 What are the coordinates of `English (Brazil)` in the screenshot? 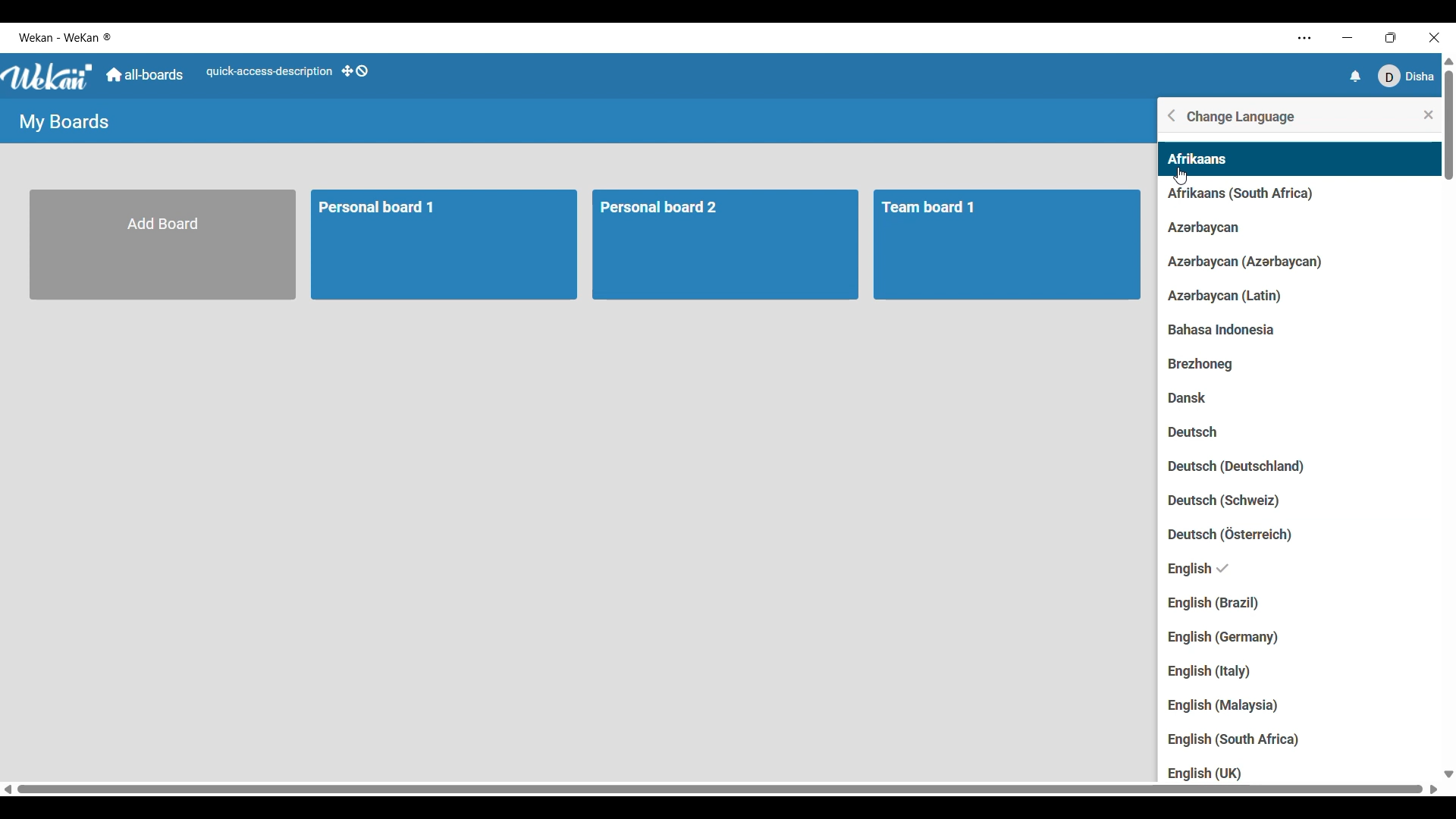 It's located at (1227, 604).